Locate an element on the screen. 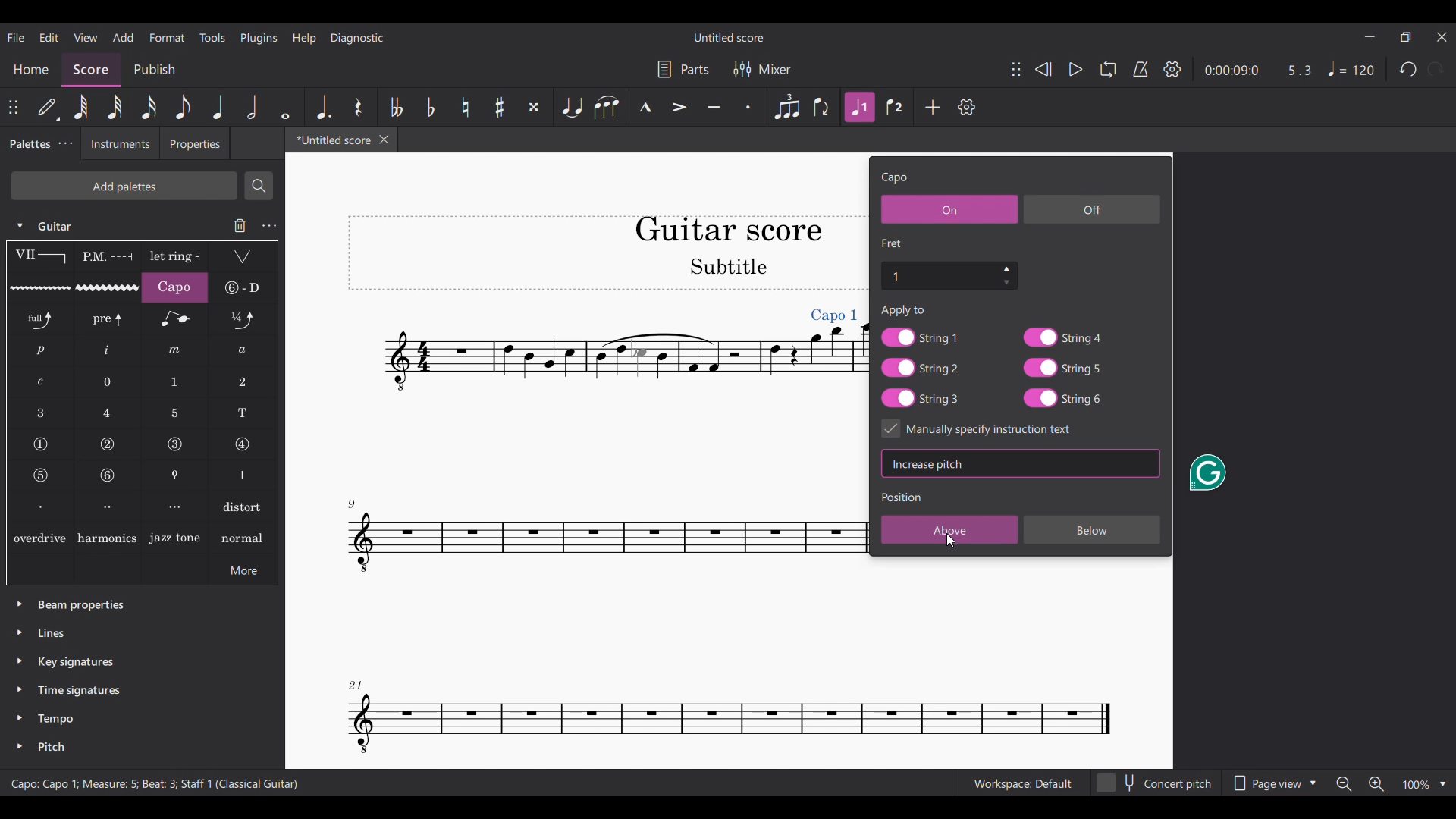  LH guitar fingering 0 is located at coordinates (108, 381).